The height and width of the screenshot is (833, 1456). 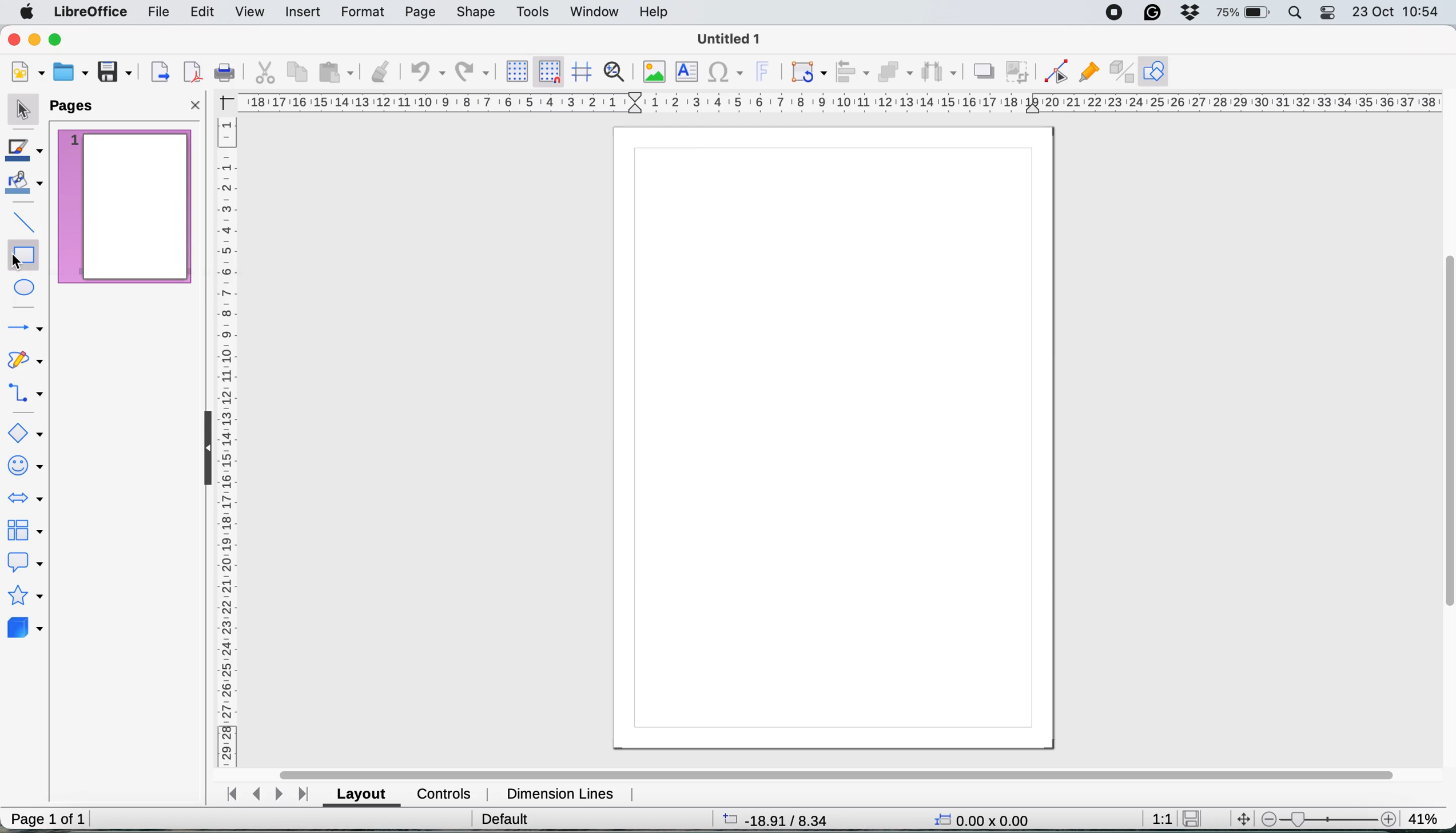 What do you see at coordinates (161, 70) in the screenshot?
I see `export` at bounding box center [161, 70].